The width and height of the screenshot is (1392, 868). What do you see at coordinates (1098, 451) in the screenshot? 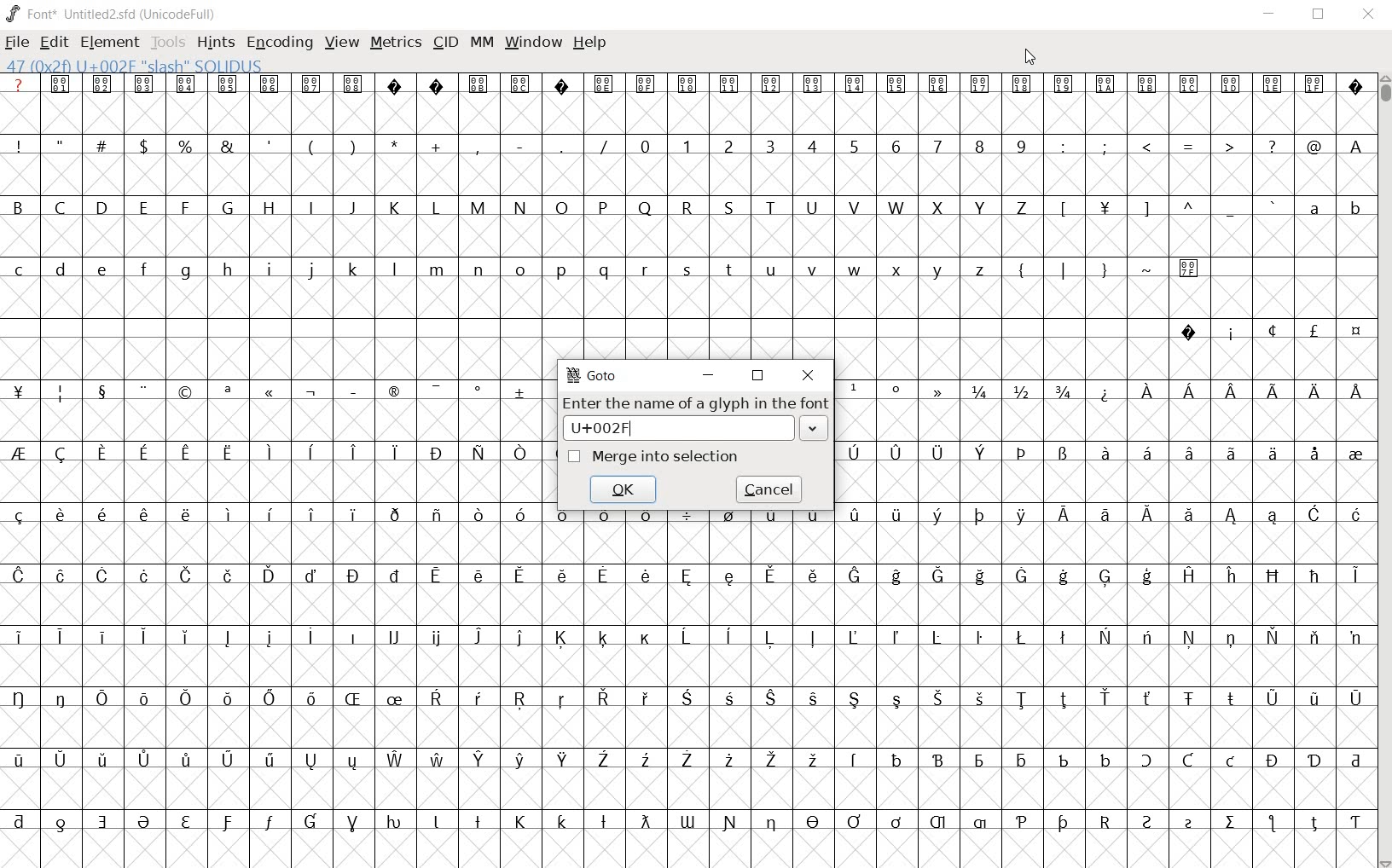
I see `speciial letter` at bounding box center [1098, 451].